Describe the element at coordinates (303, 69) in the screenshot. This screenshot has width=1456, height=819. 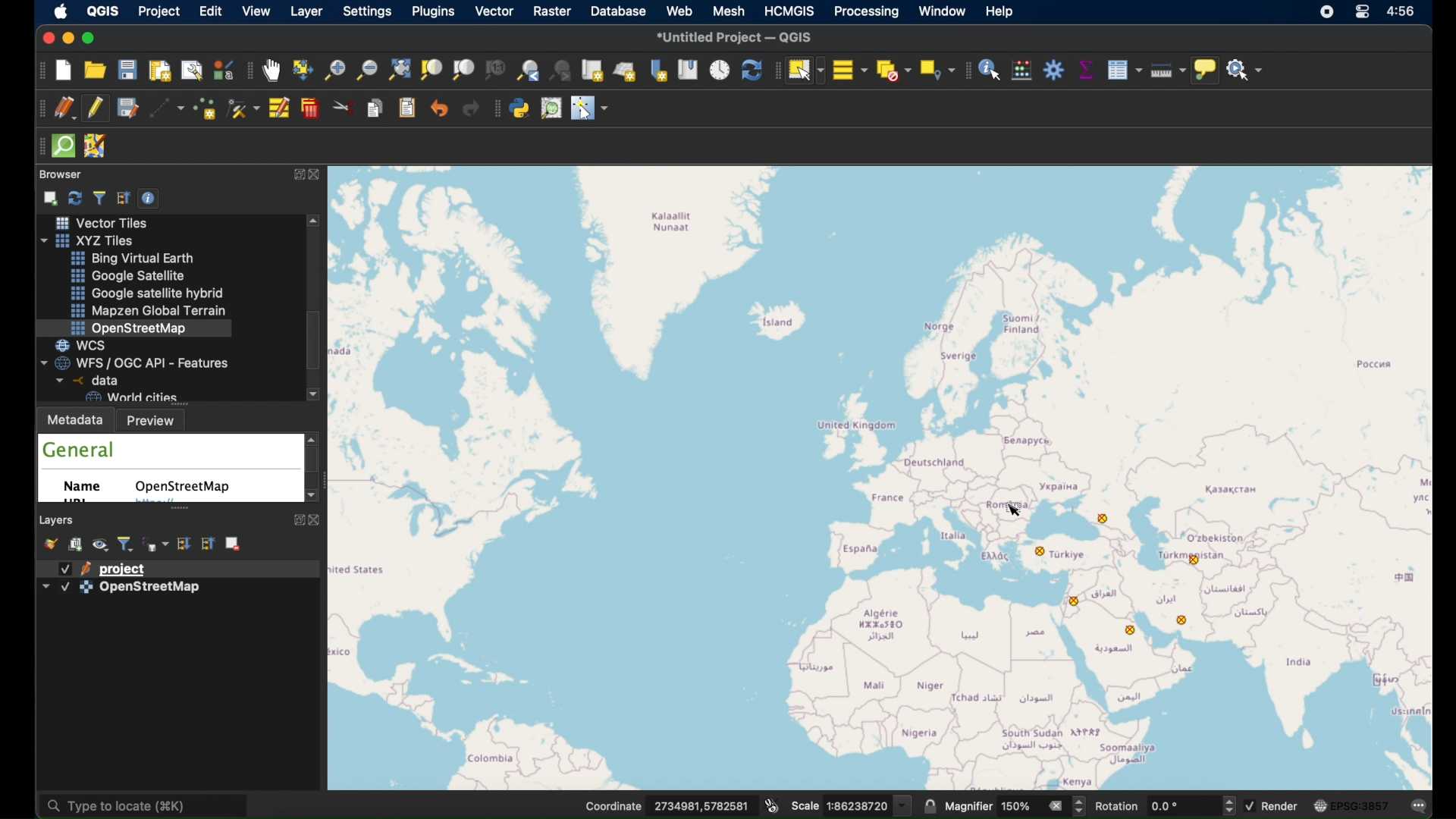
I see `pan map to selection` at that location.